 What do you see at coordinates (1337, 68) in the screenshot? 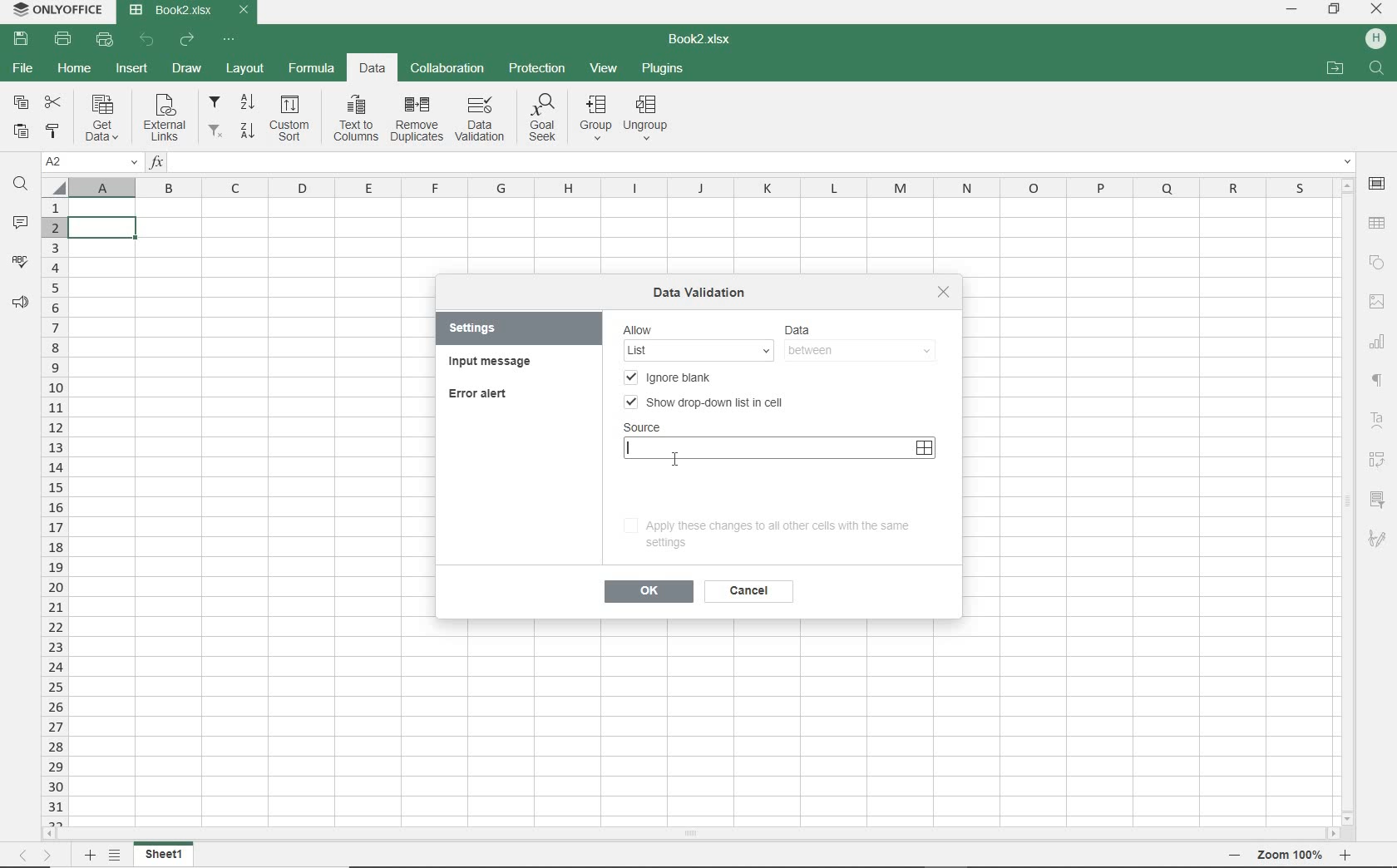
I see `OPEN FILE LOCATION` at bounding box center [1337, 68].